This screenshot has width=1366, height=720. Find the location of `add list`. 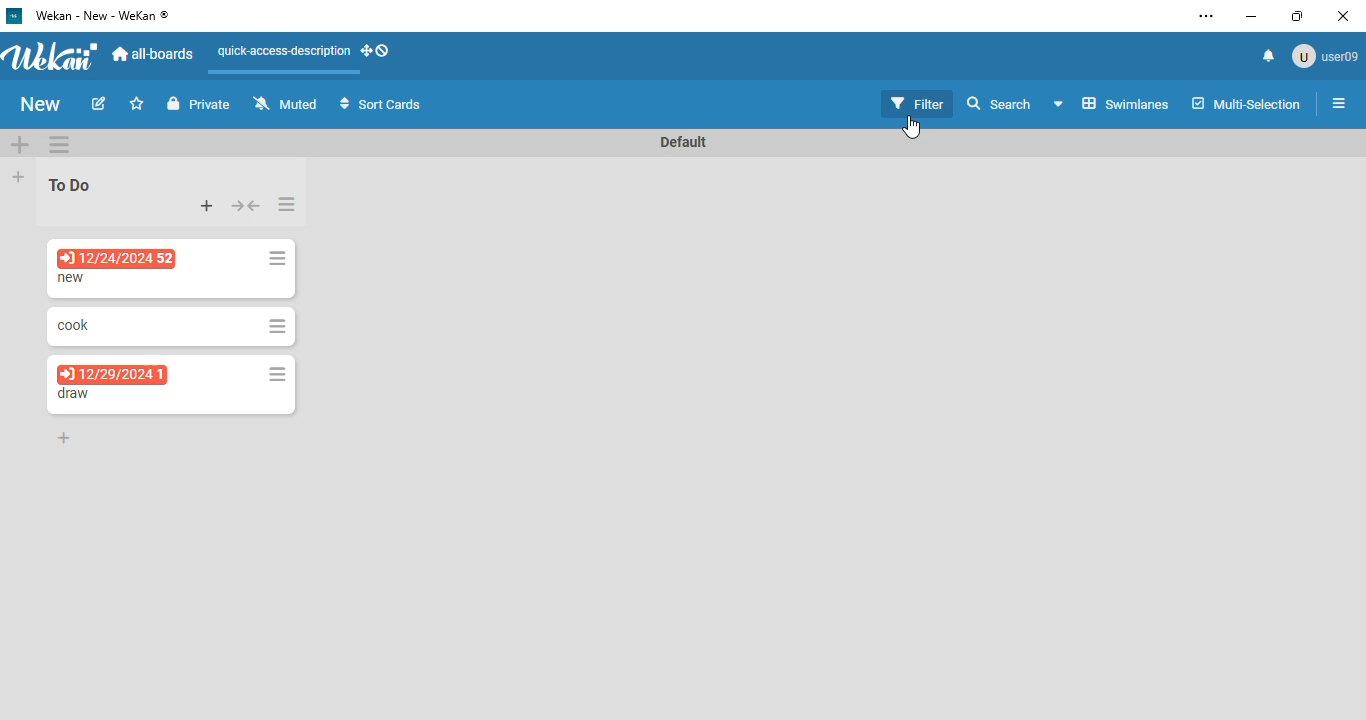

add list is located at coordinates (18, 176).